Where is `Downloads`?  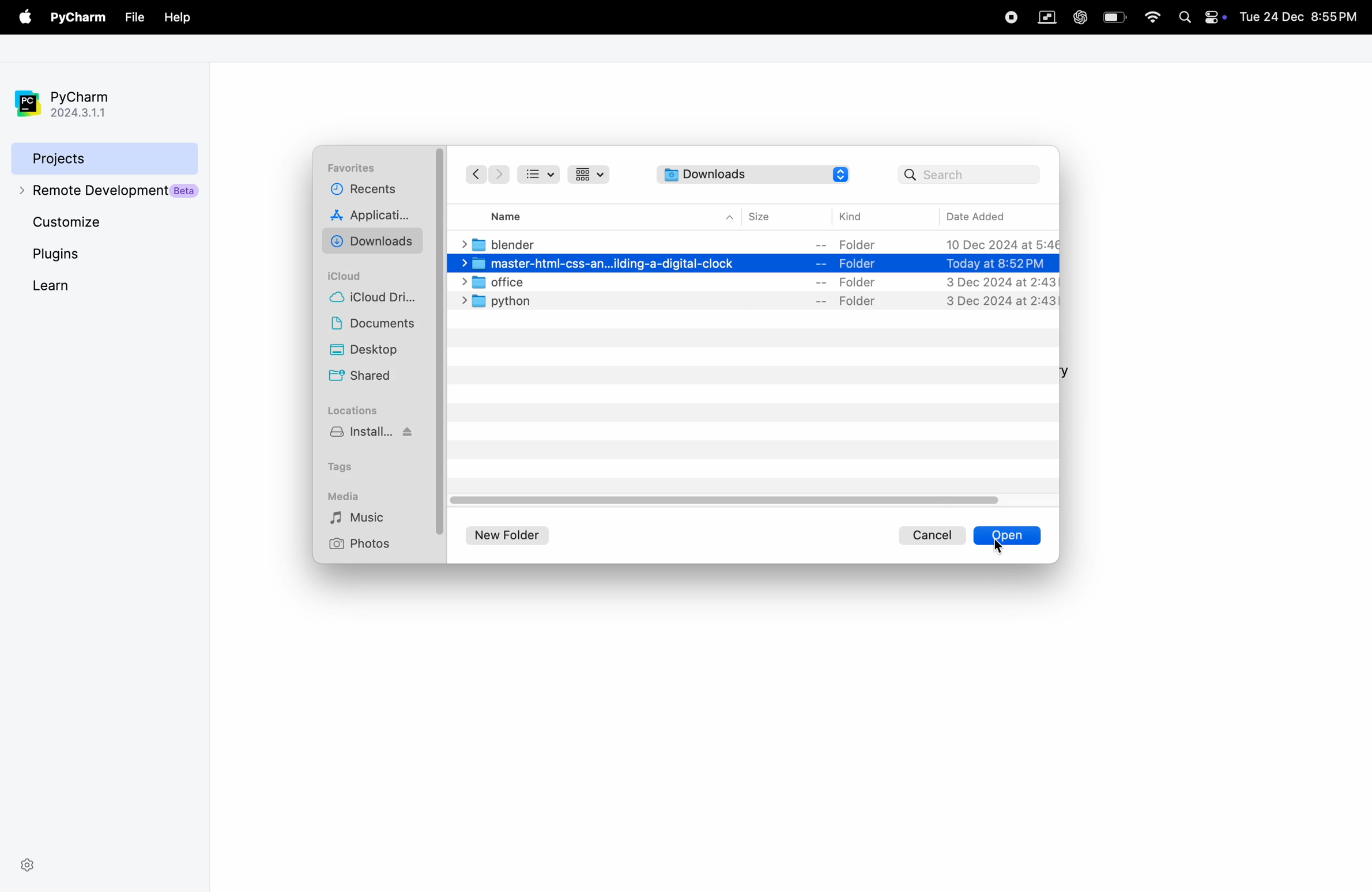
Downloads is located at coordinates (740, 174).